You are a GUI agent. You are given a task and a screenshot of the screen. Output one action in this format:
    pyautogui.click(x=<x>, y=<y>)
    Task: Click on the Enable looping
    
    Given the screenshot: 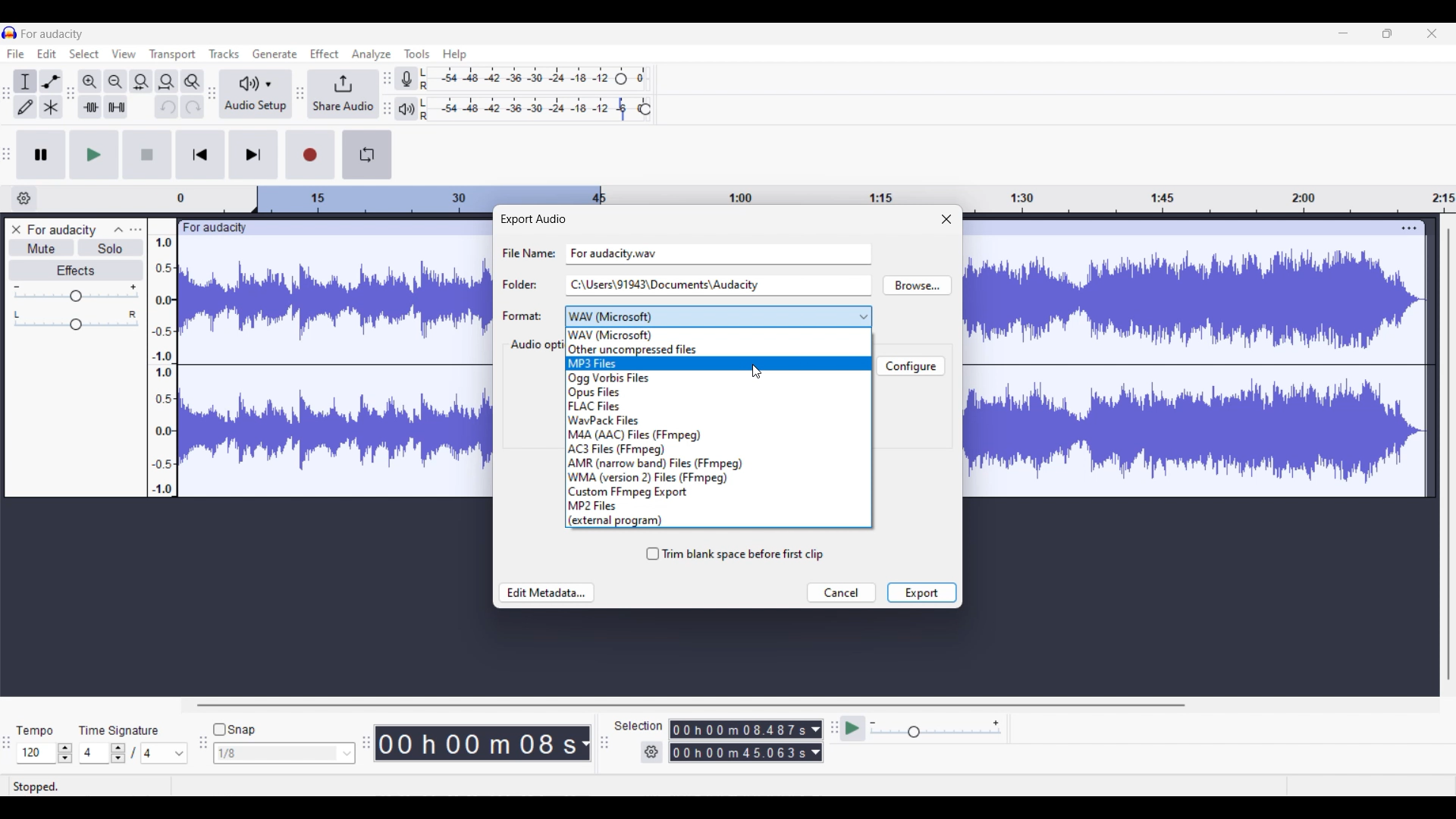 What is the action you would take?
    pyautogui.click(x=366, y=155)
    